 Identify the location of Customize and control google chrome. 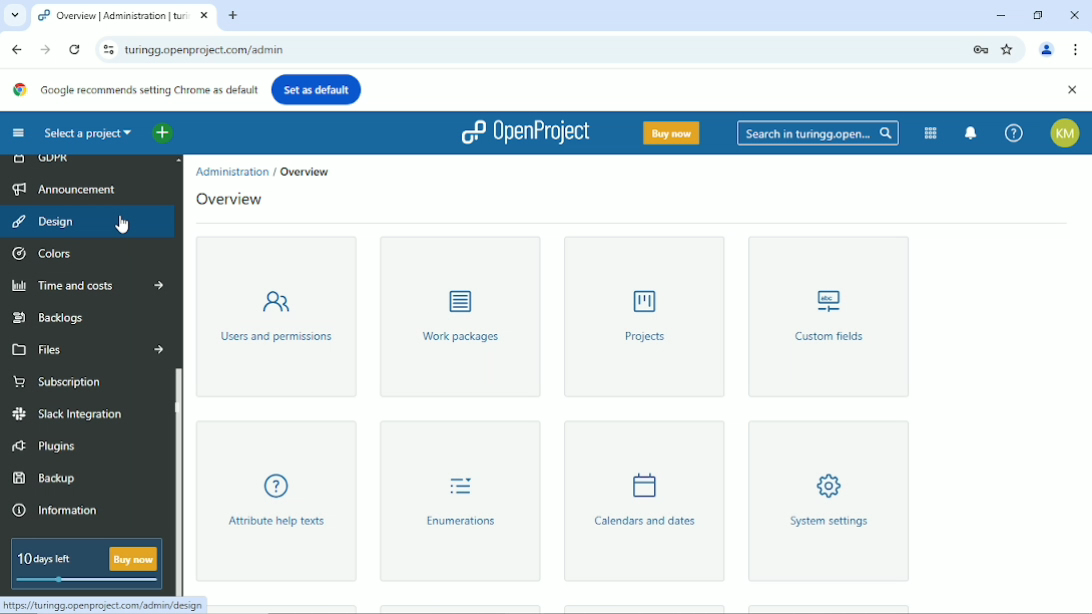
(1076, 50).